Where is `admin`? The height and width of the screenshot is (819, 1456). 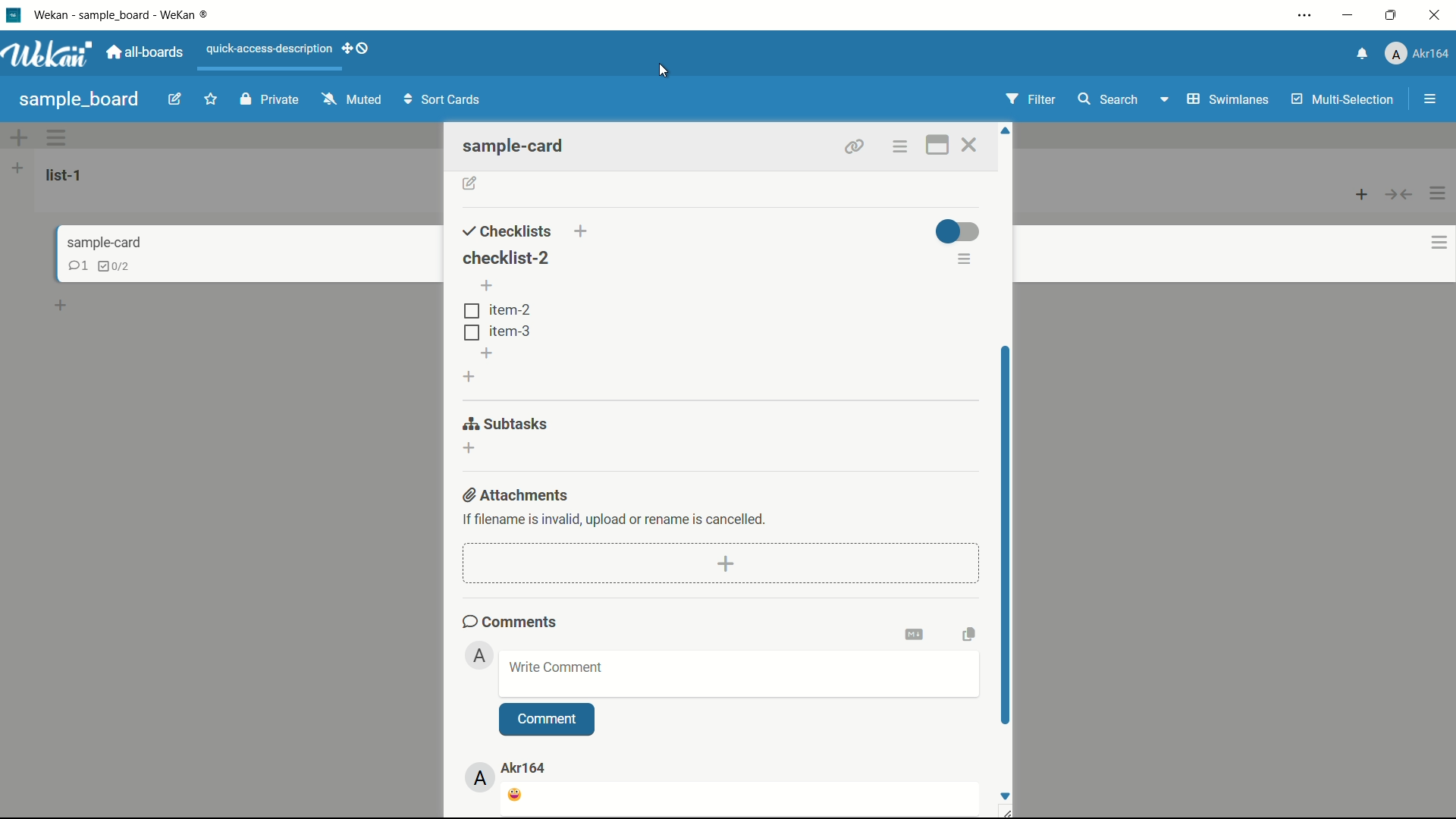
admin is located at coordinates (482, 778).